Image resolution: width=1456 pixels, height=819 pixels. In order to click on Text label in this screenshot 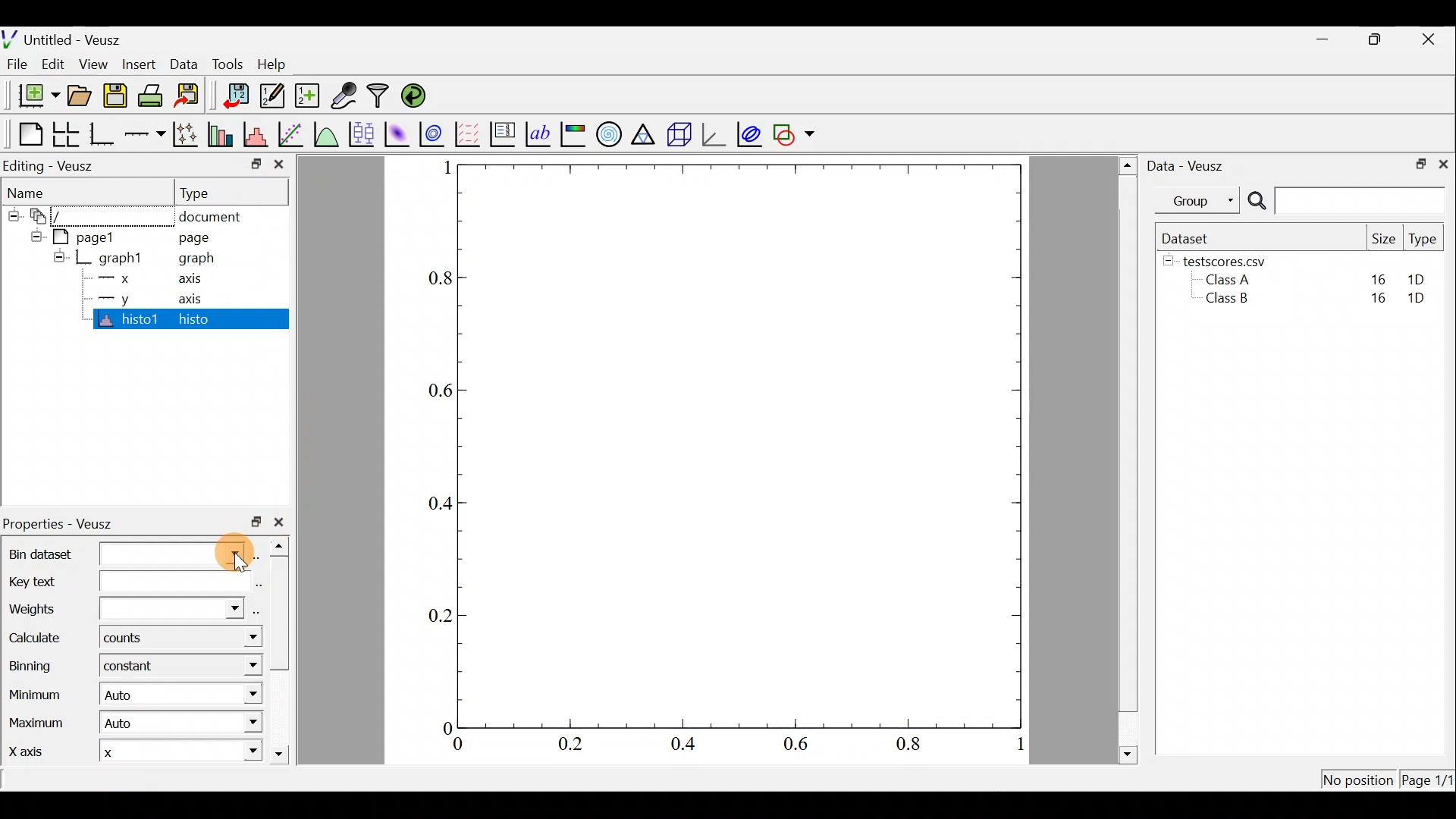, I will do `click(536, 133)`.